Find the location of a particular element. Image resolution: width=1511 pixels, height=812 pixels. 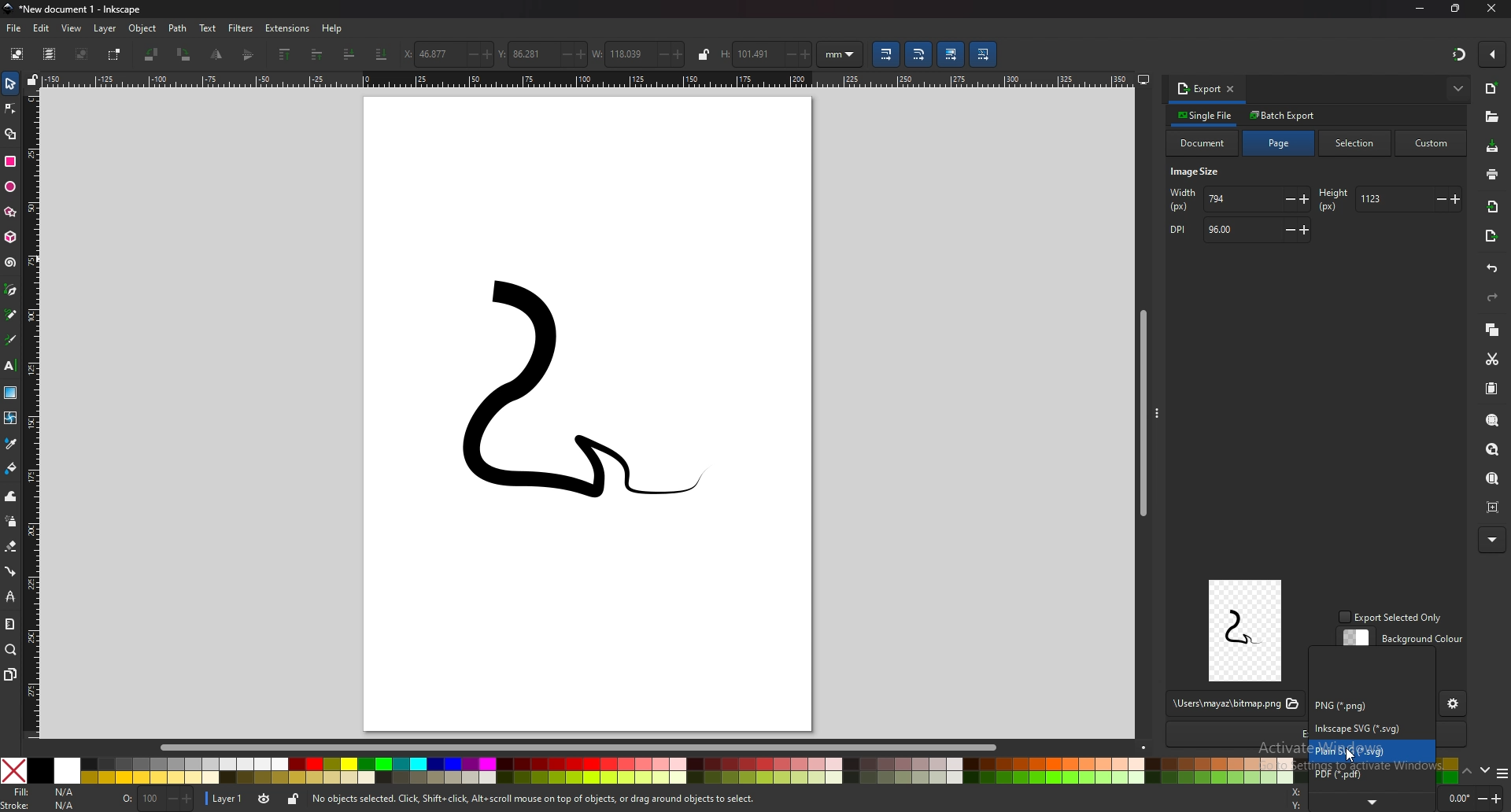

help is located at coordinates (333, 29).